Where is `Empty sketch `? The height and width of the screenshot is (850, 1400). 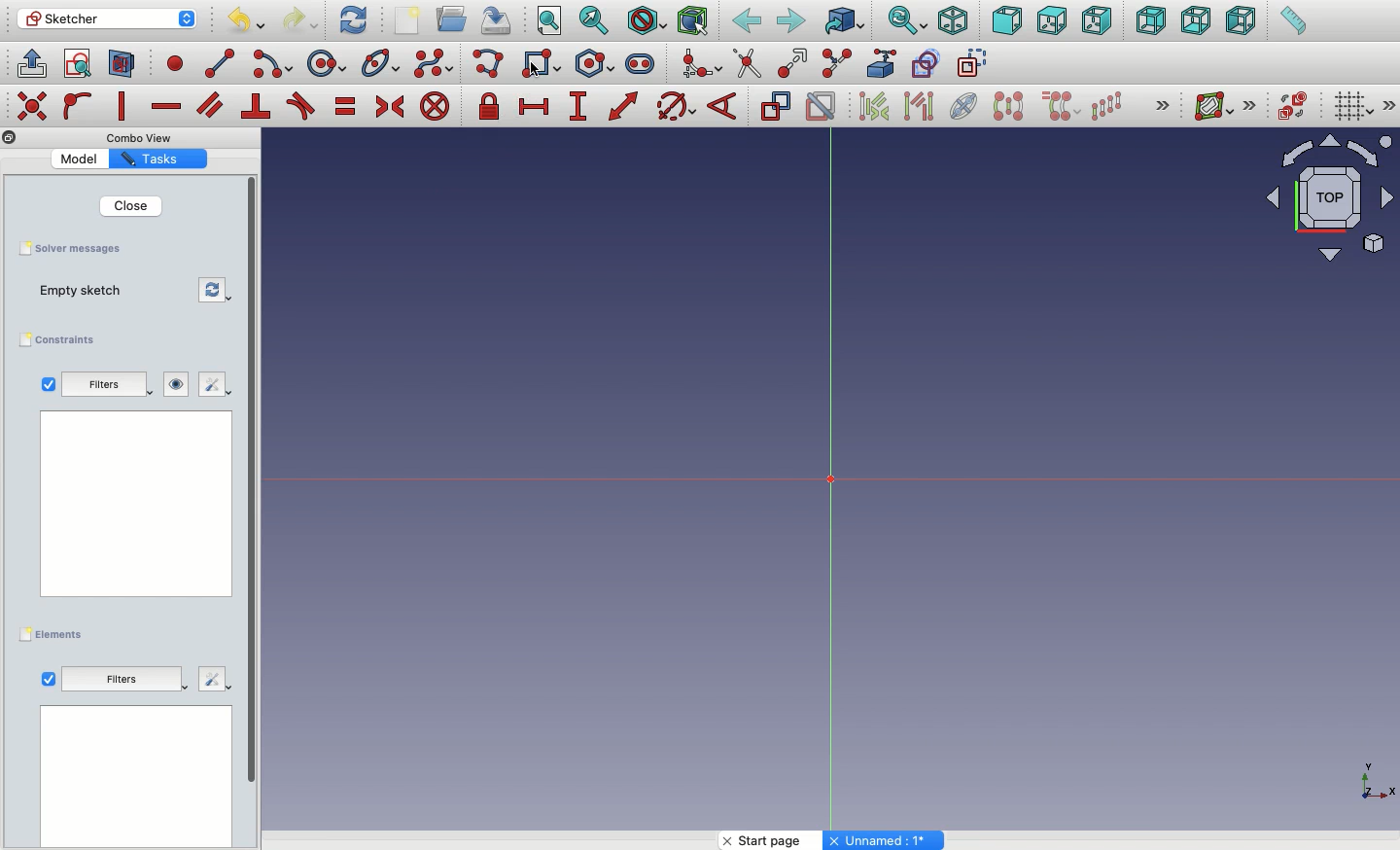 Empty sketch  is located at coordinates (90, 292).